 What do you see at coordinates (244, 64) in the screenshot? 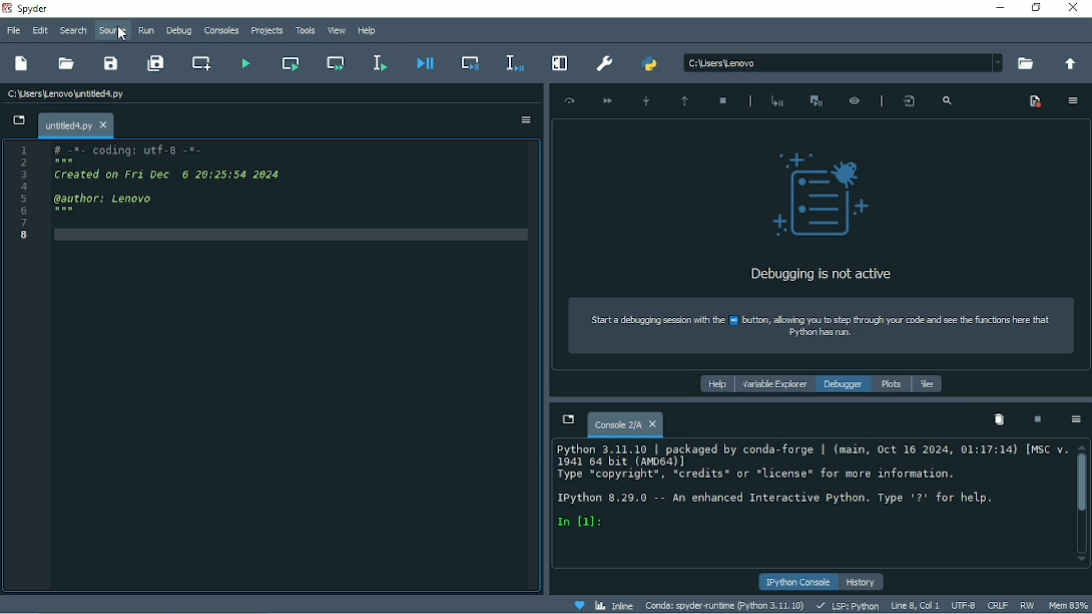
I see `Run file` at bounding box center [244, 64].